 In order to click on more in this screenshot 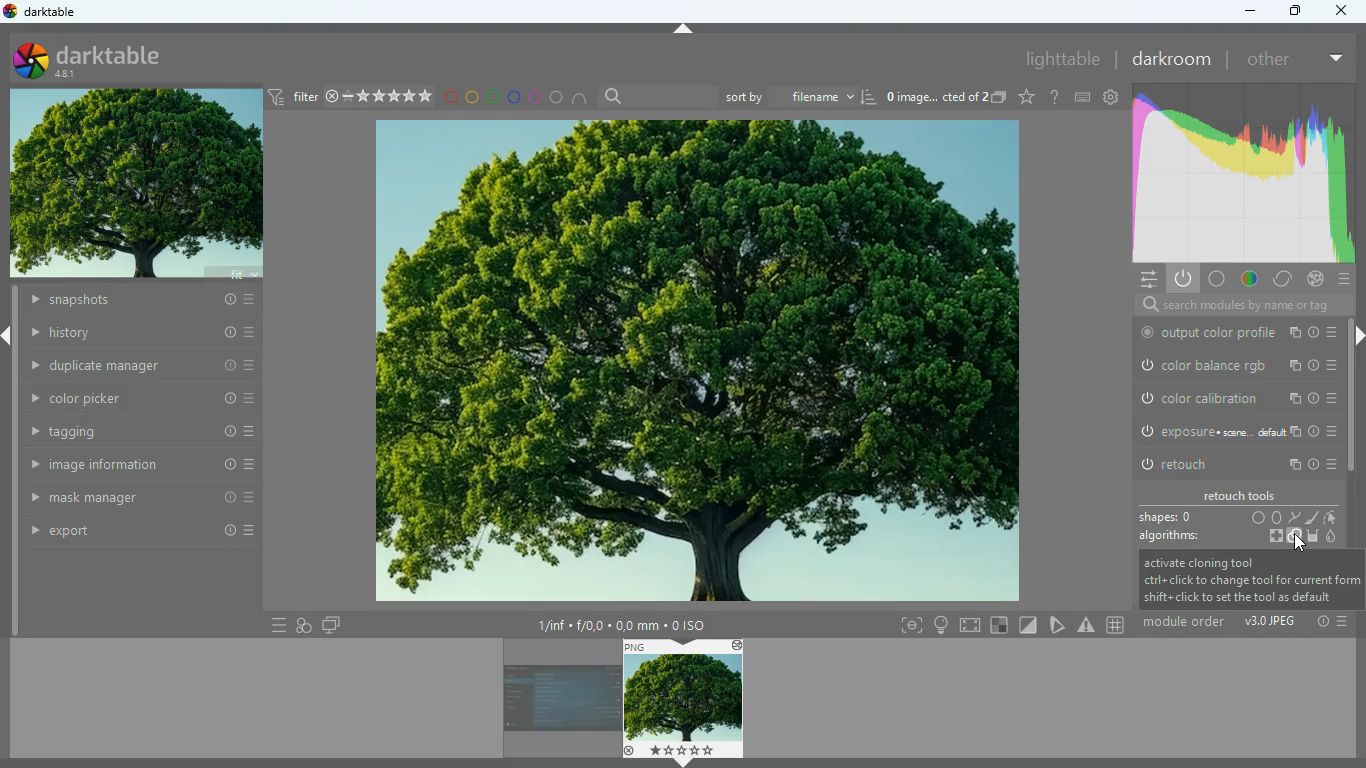, I will do `click(1334, 60)`.